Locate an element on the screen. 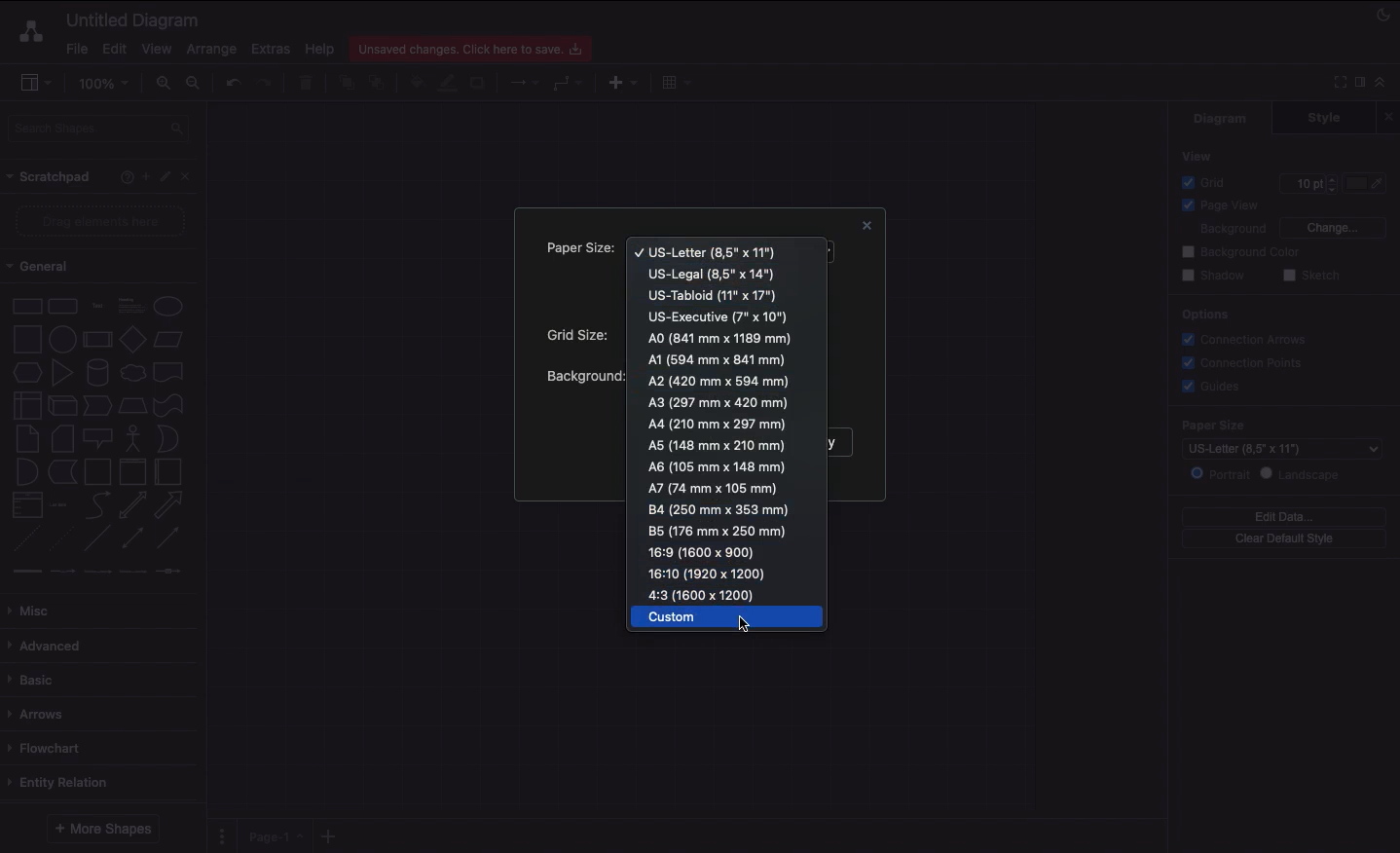  Edit is located at coordinates (167, 177).